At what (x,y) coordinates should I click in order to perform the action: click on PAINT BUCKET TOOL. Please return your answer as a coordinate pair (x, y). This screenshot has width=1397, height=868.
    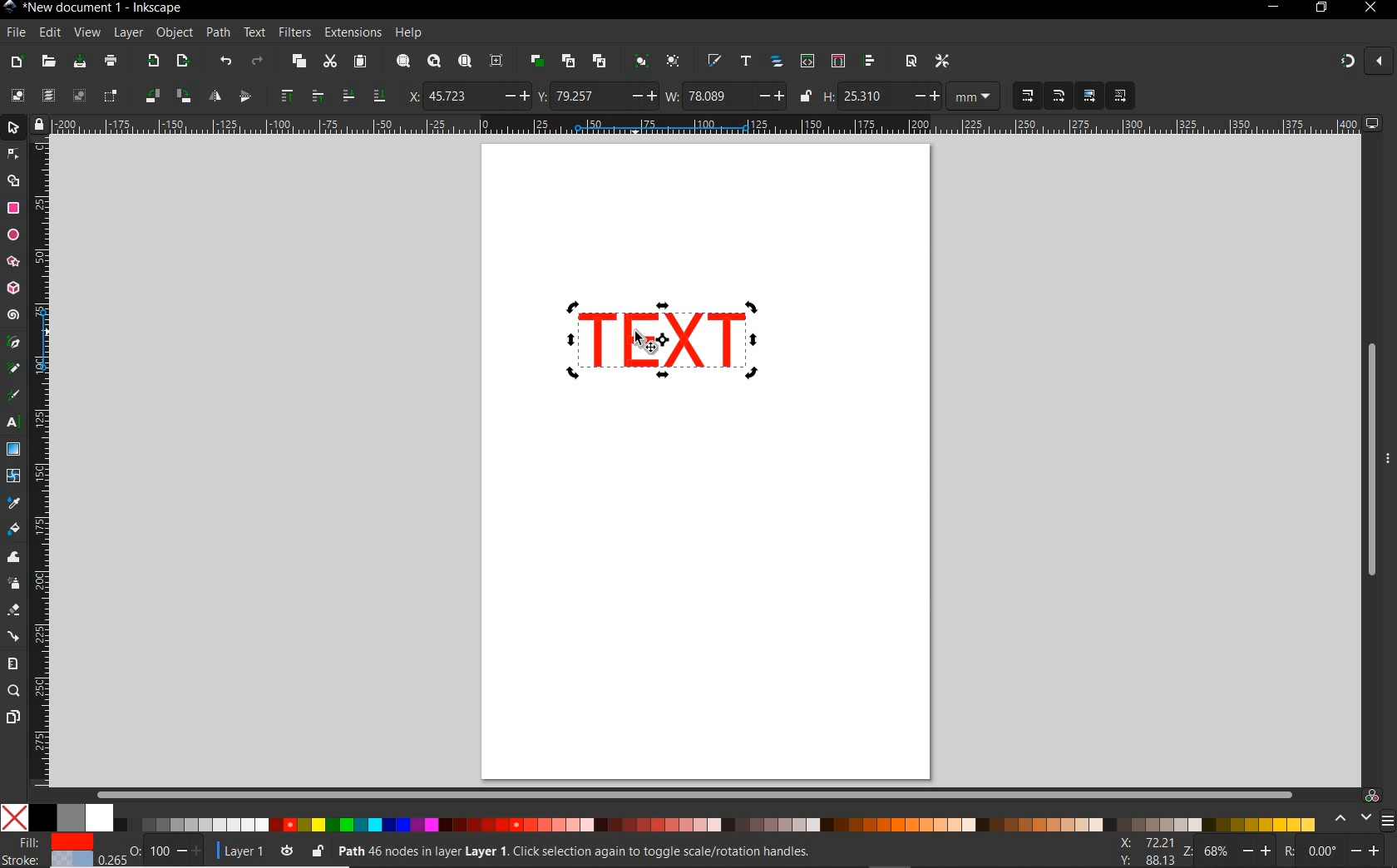
    Looking at the image, I should click on (13, 530).